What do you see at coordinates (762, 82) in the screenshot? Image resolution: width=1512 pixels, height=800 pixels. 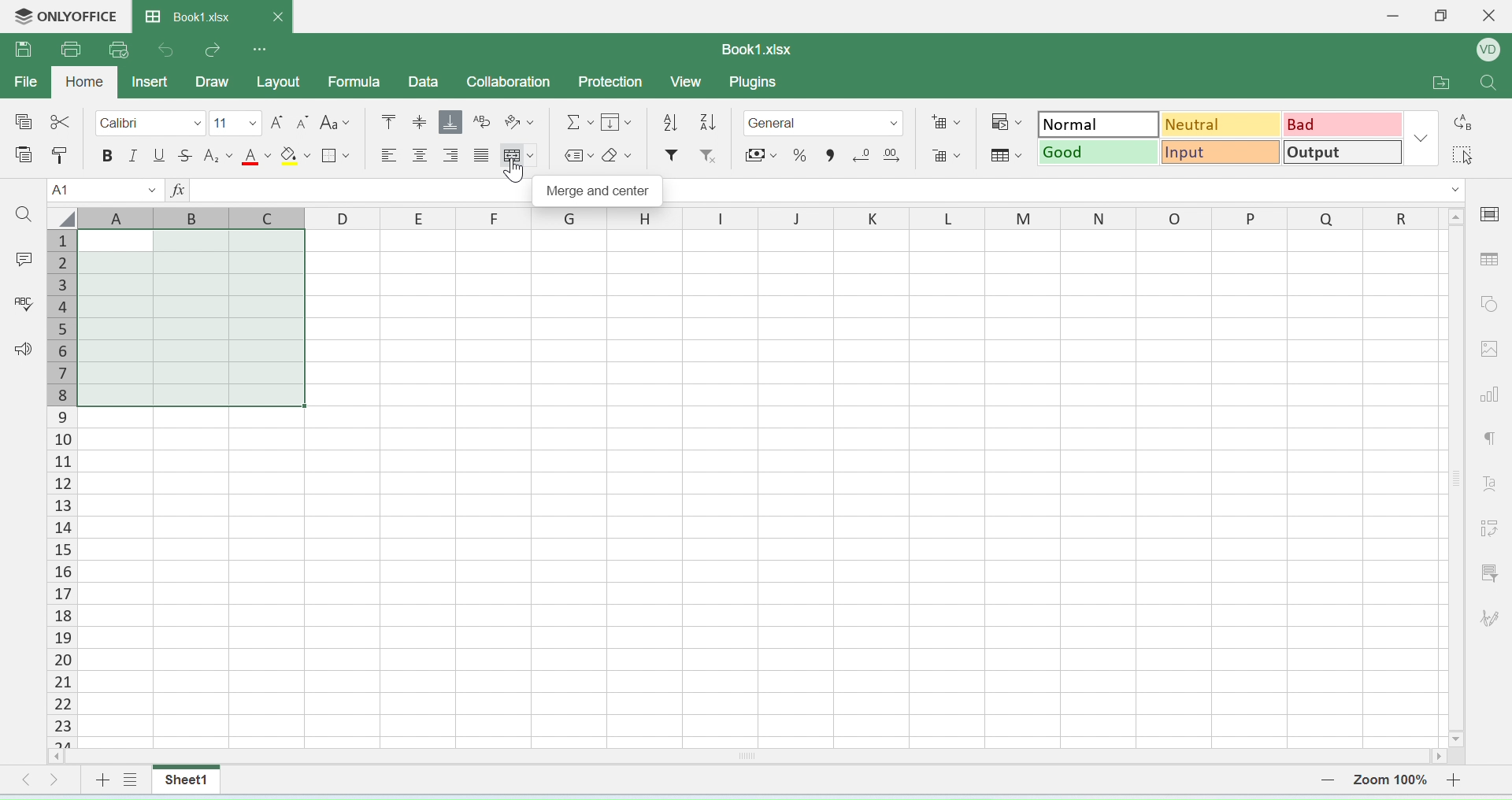 I see `plugins` at bounding box center [762, 82].